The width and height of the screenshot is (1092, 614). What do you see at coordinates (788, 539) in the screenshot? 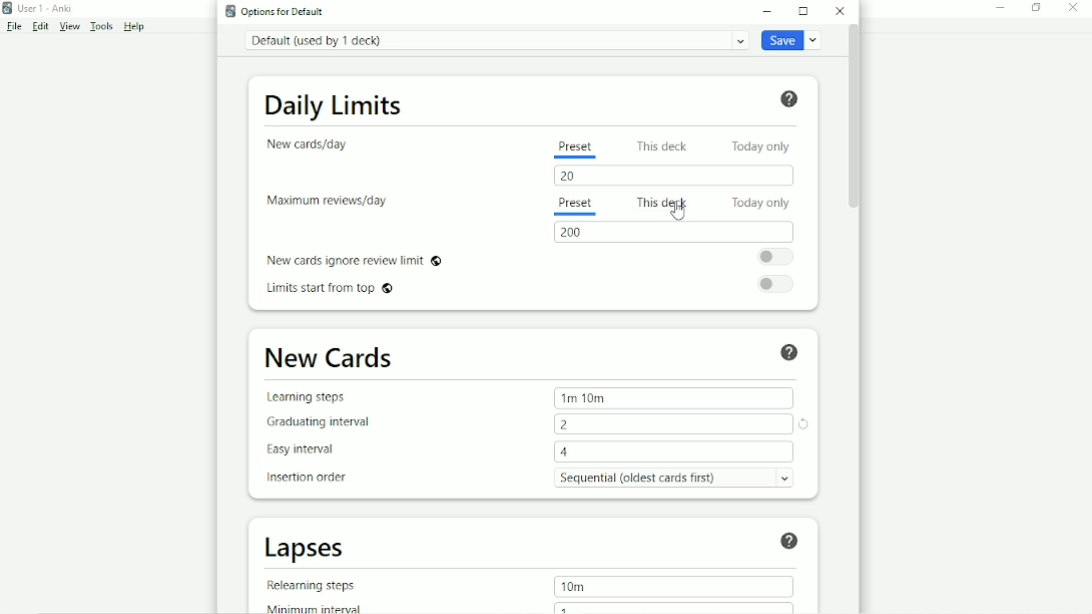
I see `Help` at bounding box center [788, 539].